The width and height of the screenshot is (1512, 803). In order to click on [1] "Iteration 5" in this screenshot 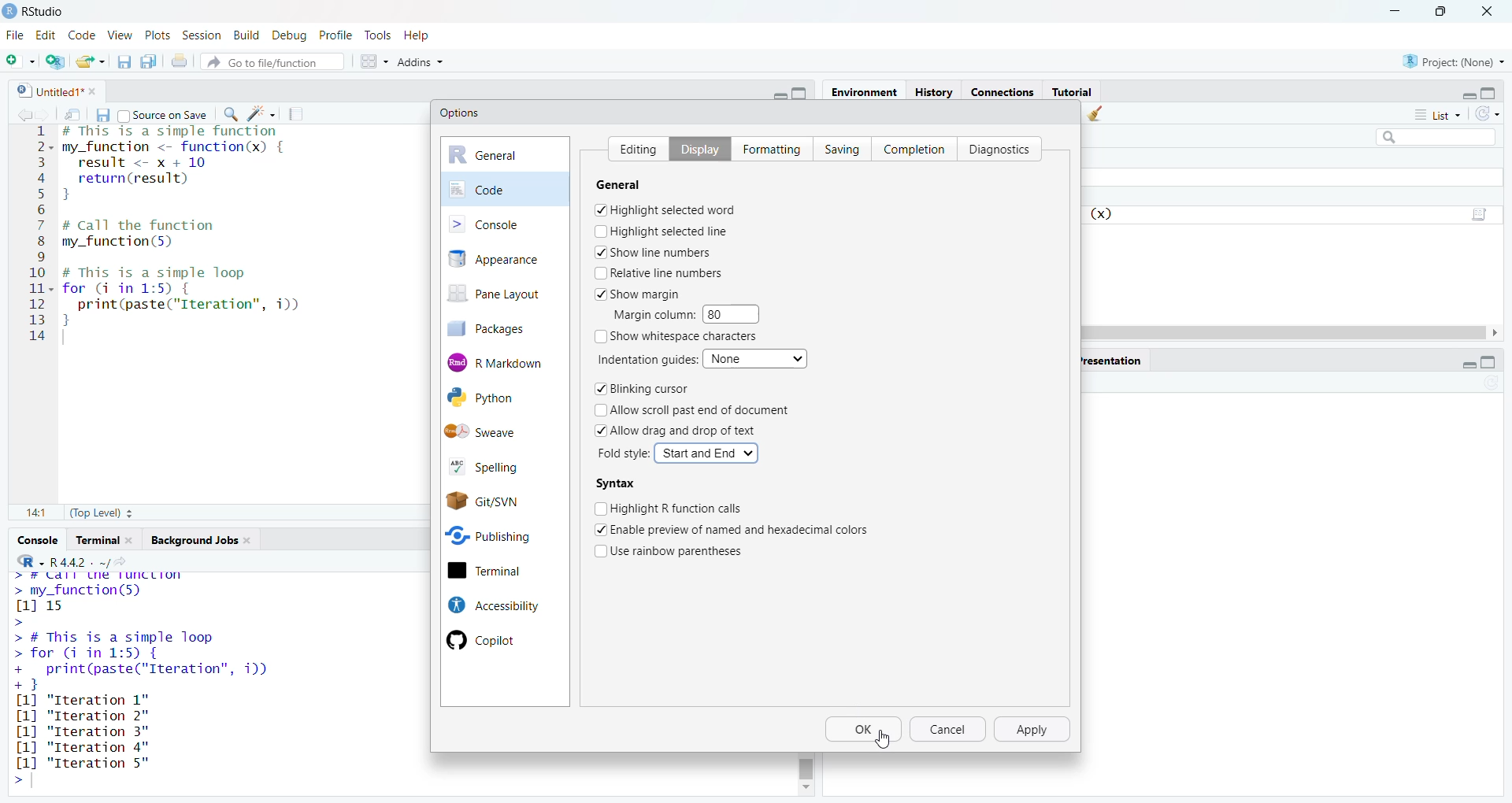, I will do `click(80, 763)`.